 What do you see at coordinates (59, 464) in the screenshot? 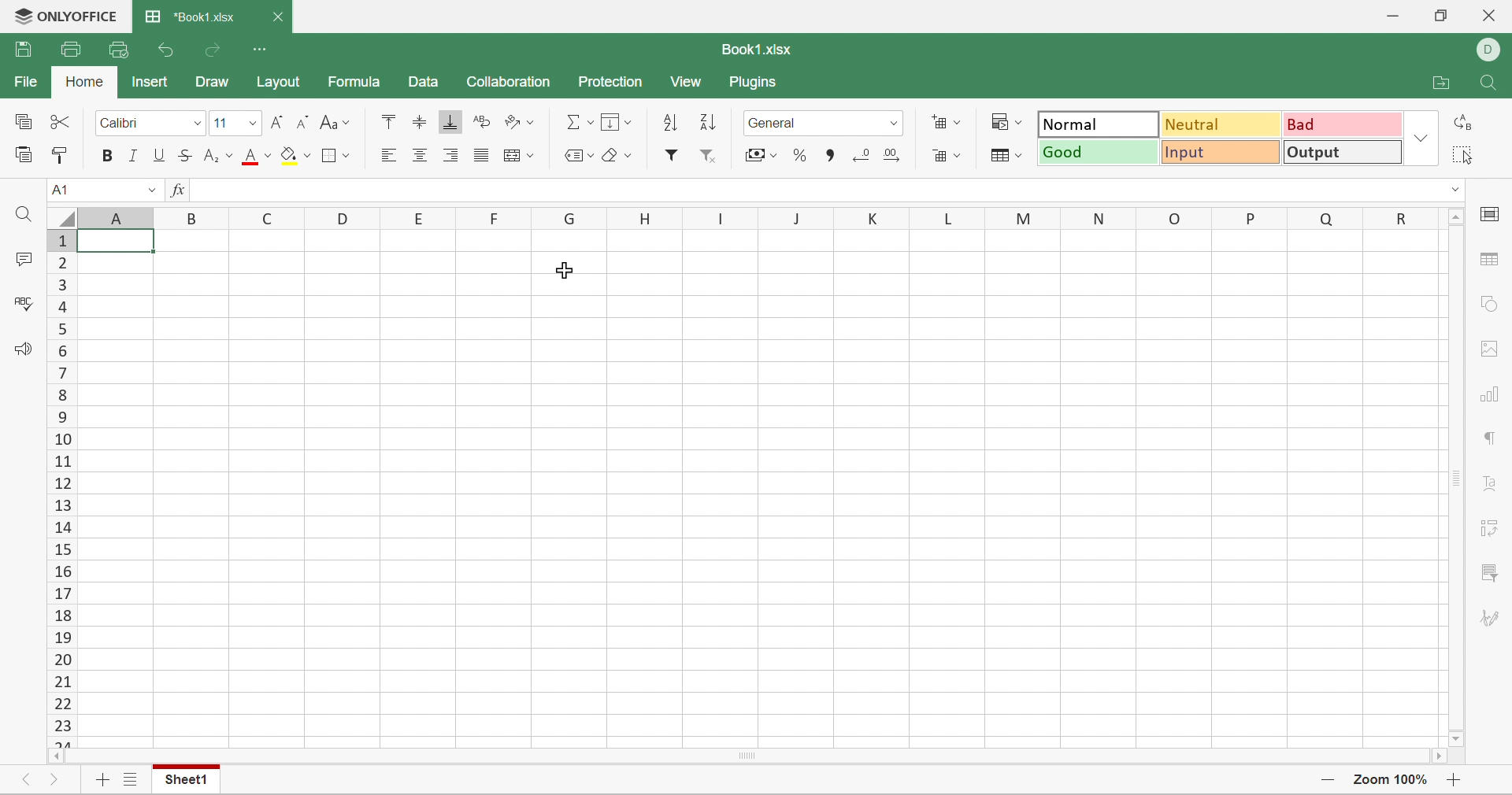
I see `11` at bounding box center [59, 464].